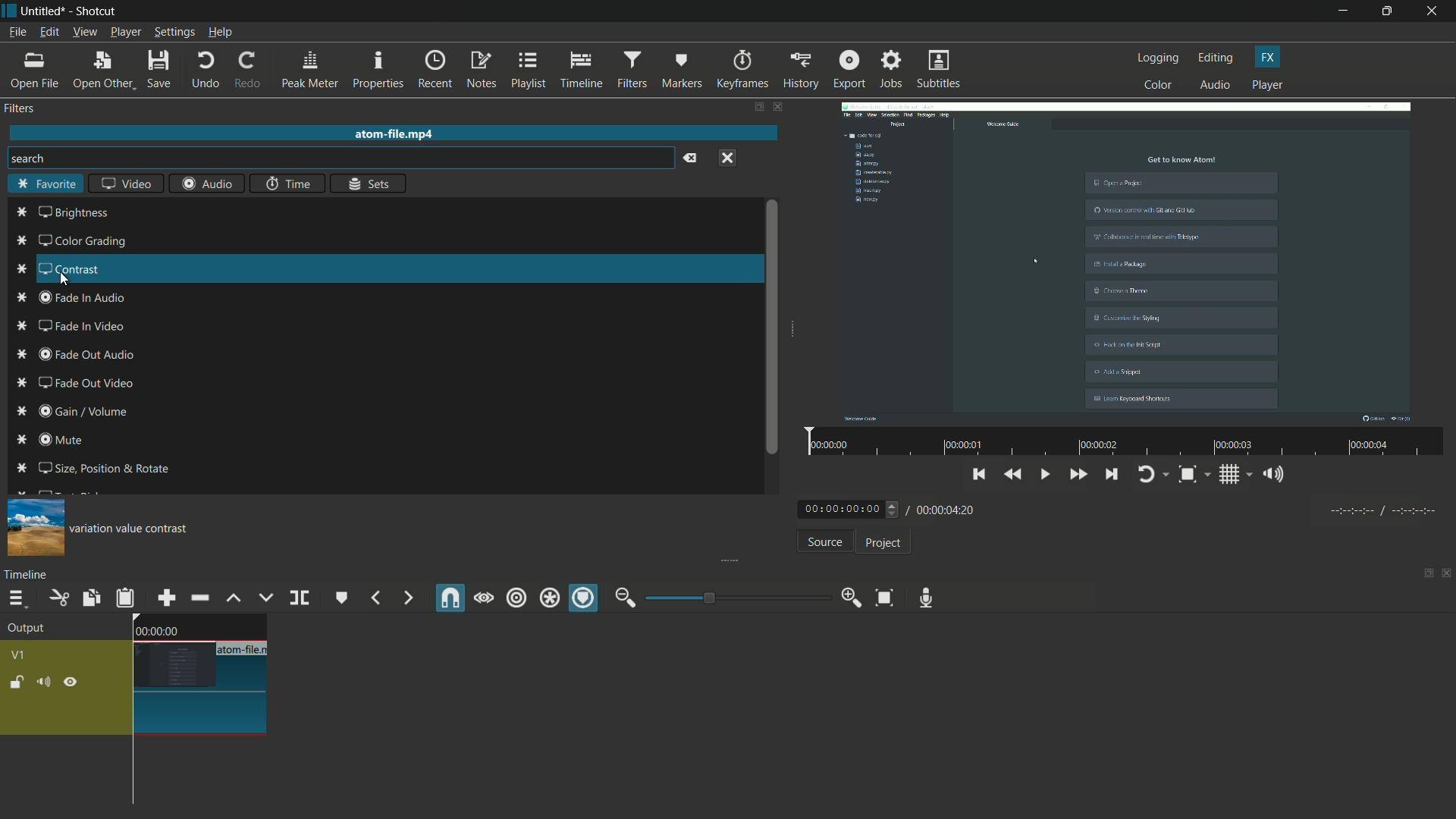  I want to click on toggle player logging, so click(1153, 474).